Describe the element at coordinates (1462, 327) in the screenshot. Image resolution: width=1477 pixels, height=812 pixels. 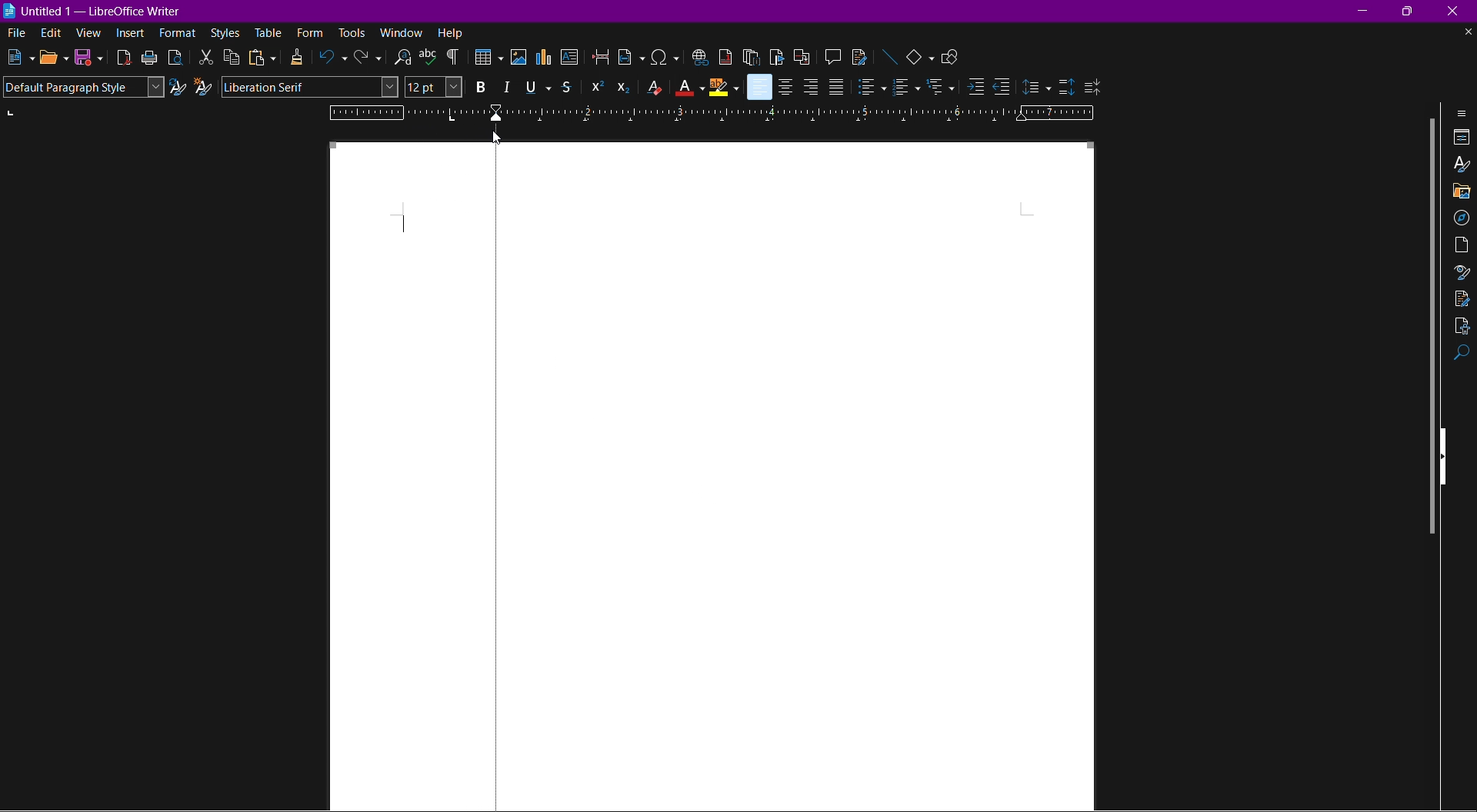
I see `Accessibility Check` at that location.